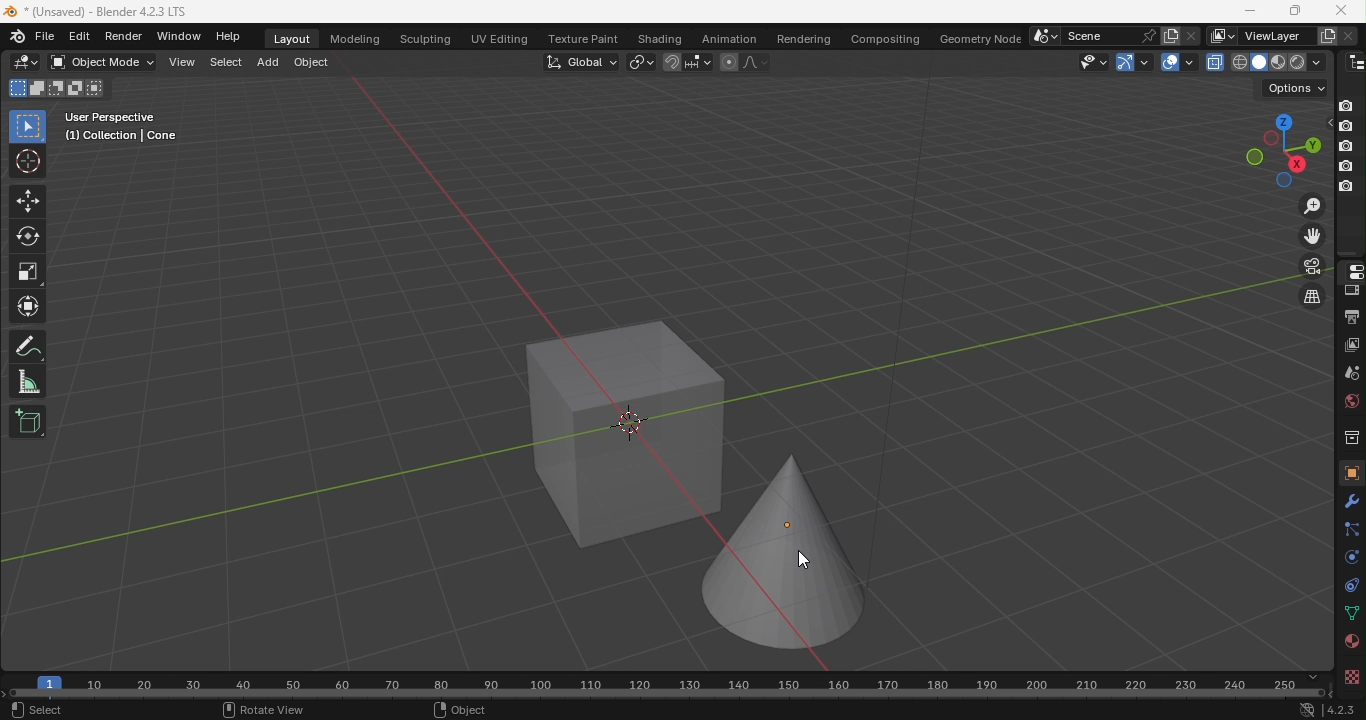  What do you see at coordinates (1349, 315) in the screenshot?
I see `Output` at bounding box center [1349, 315].